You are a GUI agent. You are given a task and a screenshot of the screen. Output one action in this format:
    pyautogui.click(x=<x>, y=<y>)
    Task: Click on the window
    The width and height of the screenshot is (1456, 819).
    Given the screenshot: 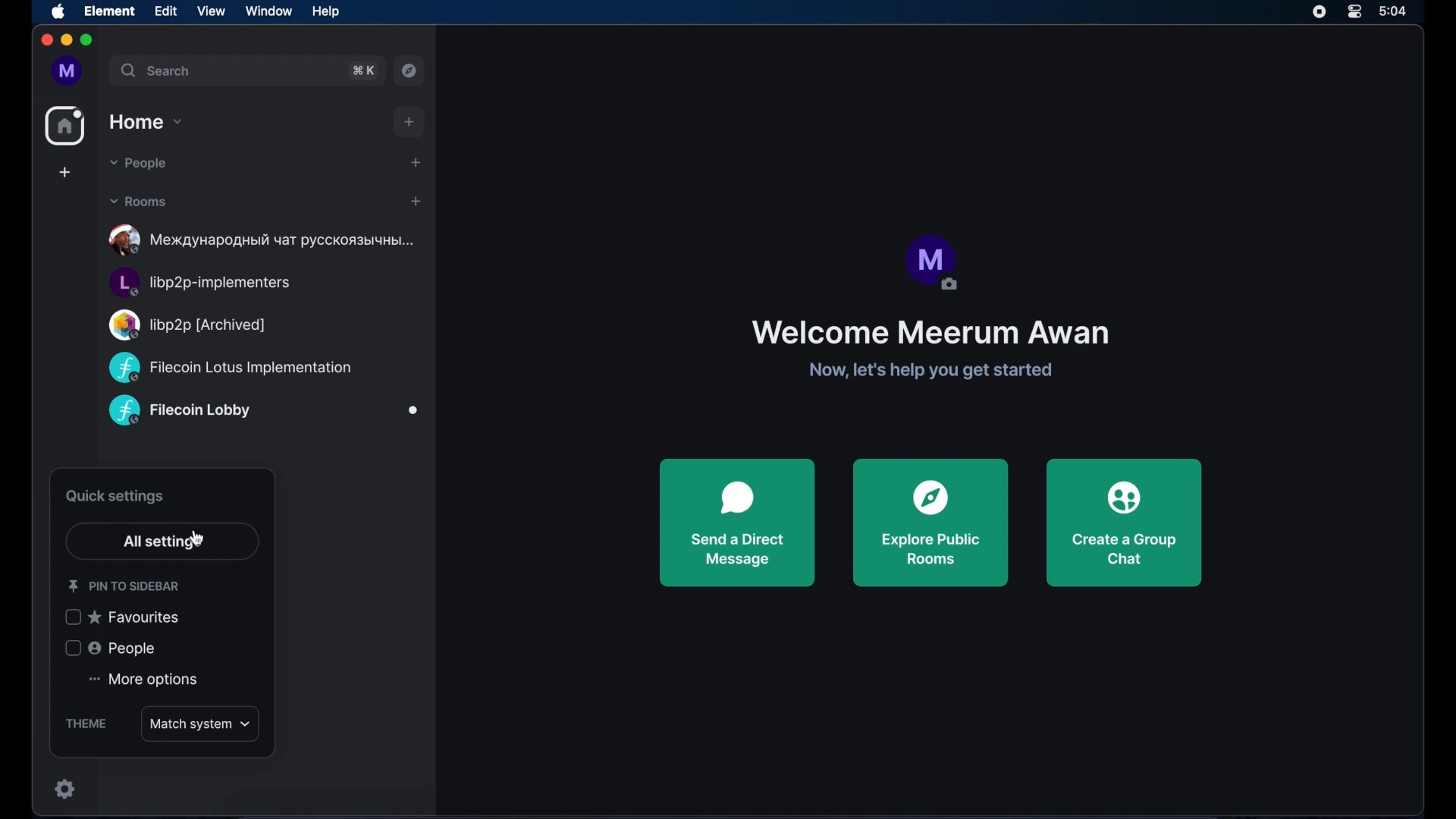 What is the action you would take?
    pyautogui.click(x=268, y=11)
    